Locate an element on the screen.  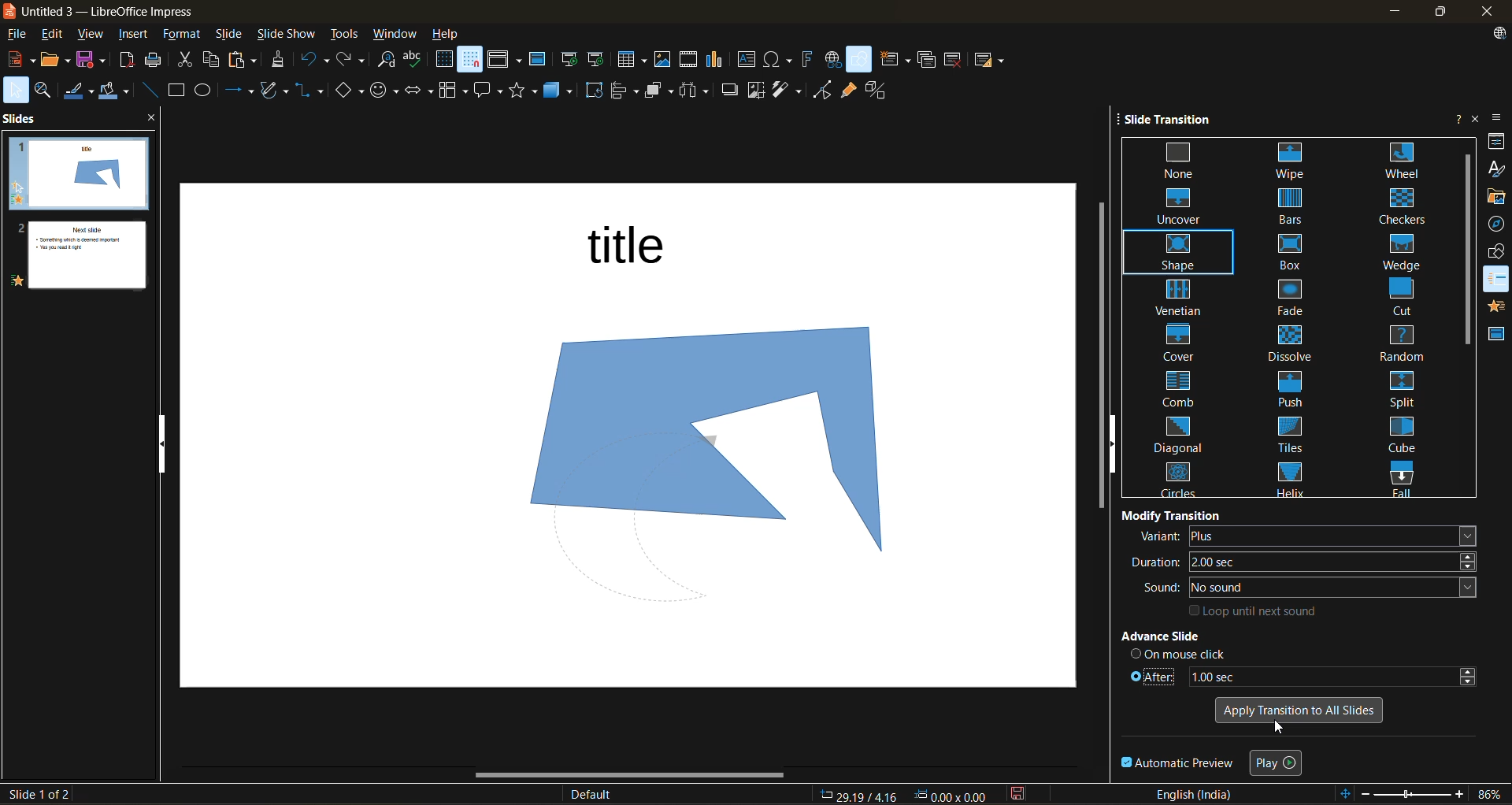
insert hyperlink is located at coordinates (834, 60).